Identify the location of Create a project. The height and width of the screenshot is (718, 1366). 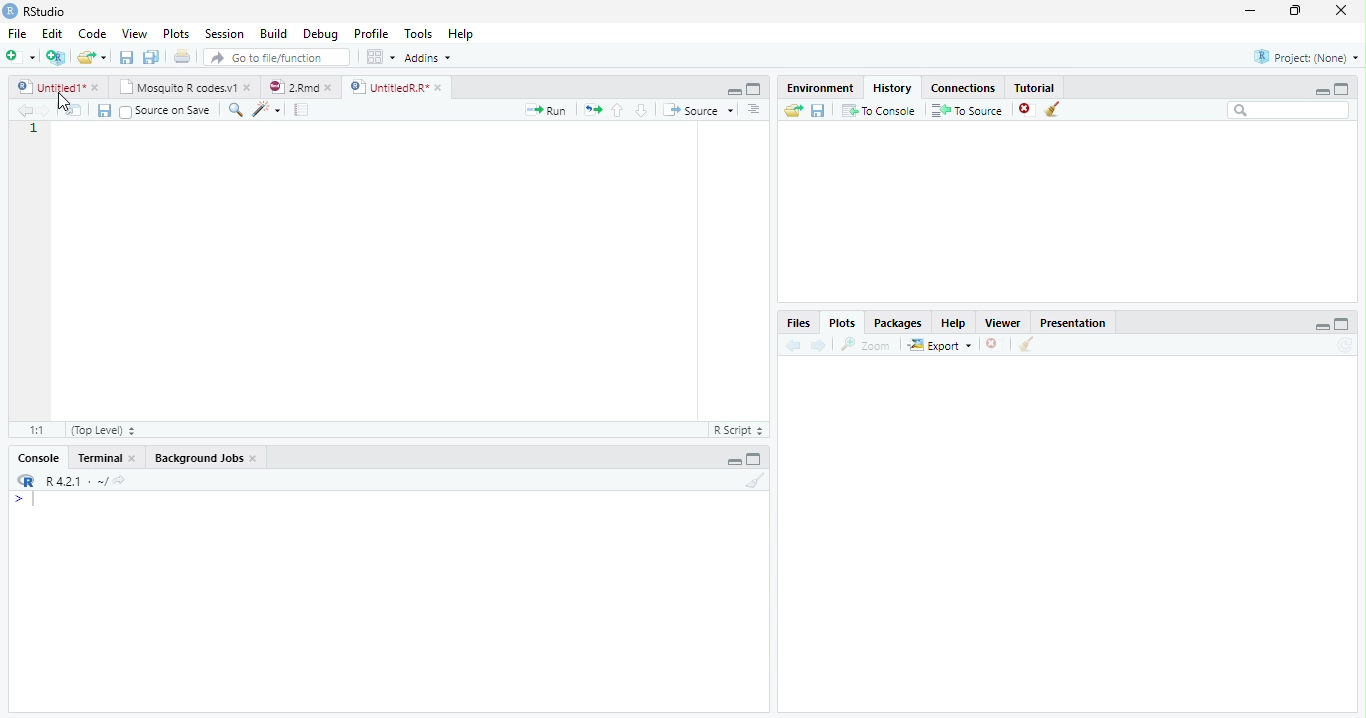
(55, 57).